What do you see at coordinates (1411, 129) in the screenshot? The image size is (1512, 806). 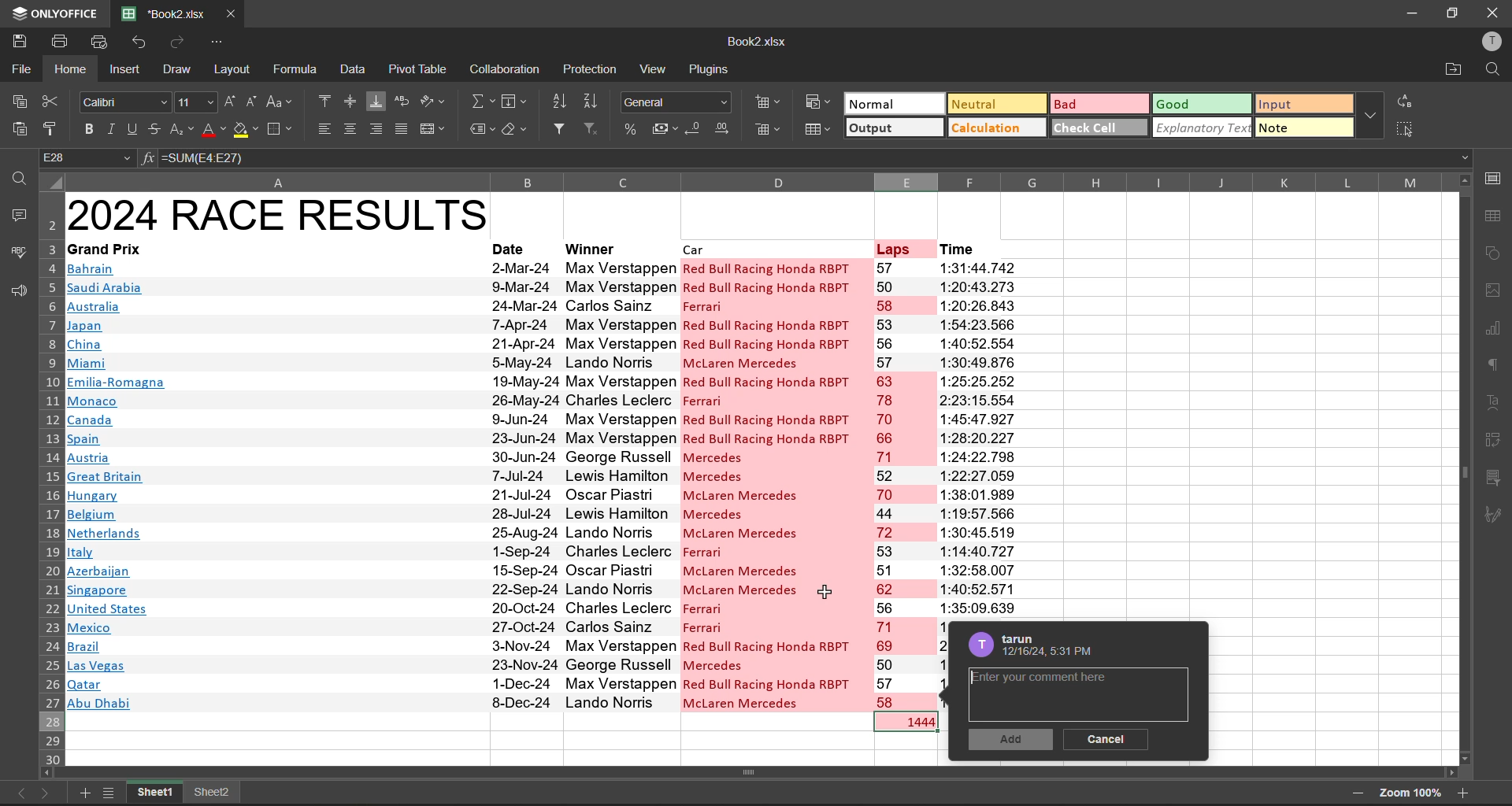 I see `select all` at bounding box center [1411, 129].